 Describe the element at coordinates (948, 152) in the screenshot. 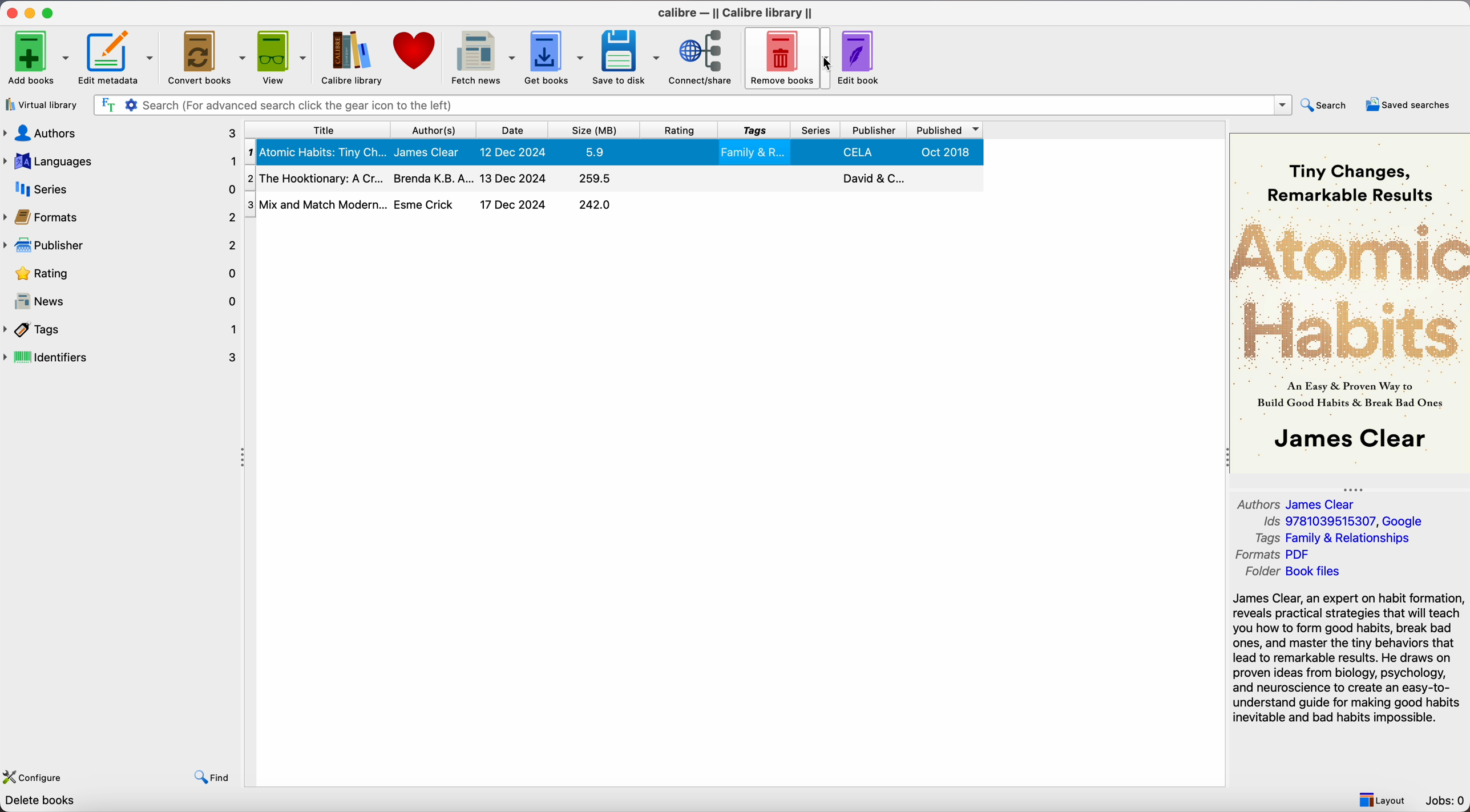

I see `Oct 2018` at that location.